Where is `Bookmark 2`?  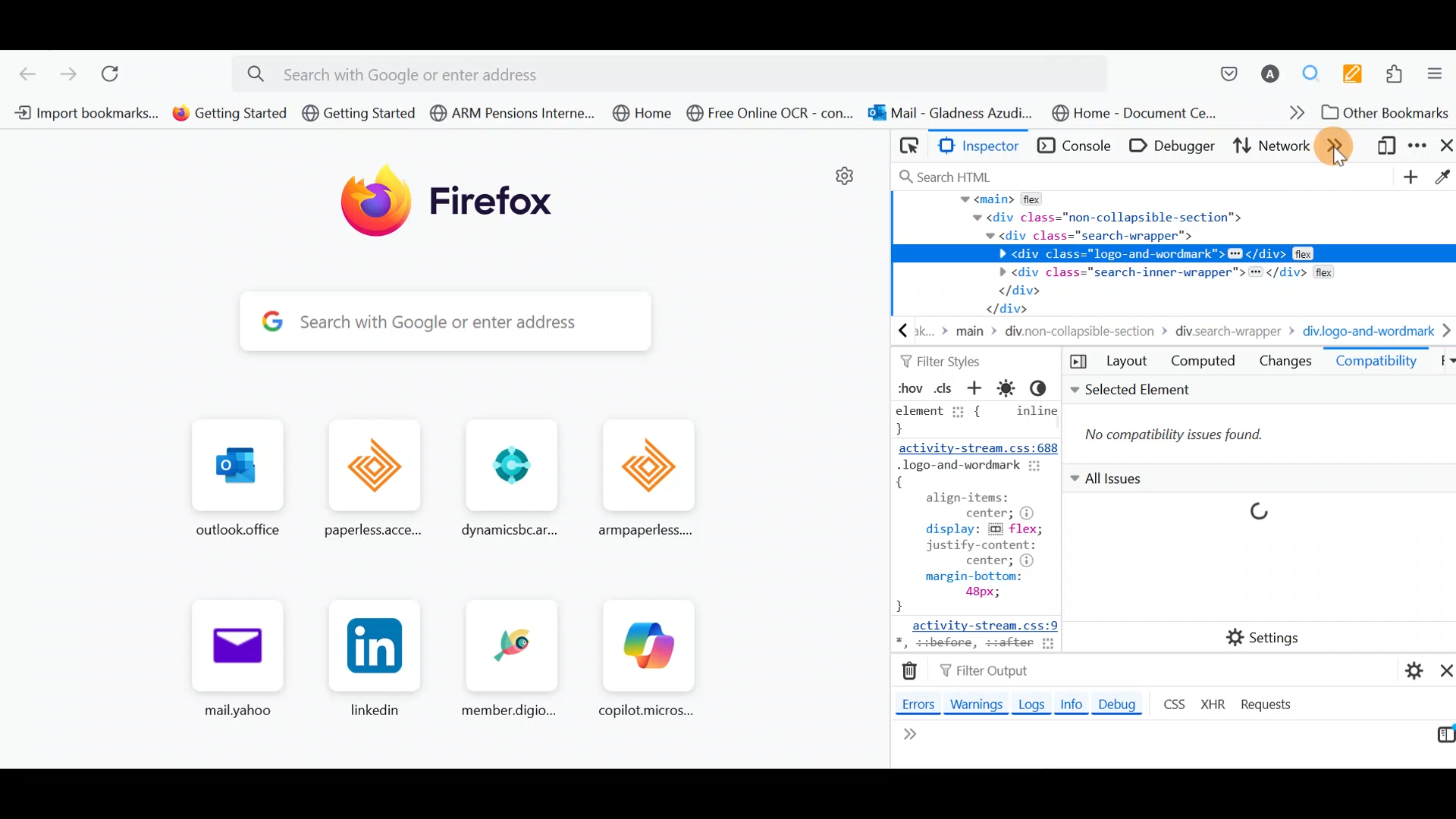 Bookmark 2 is located at coordinates (230, 113).